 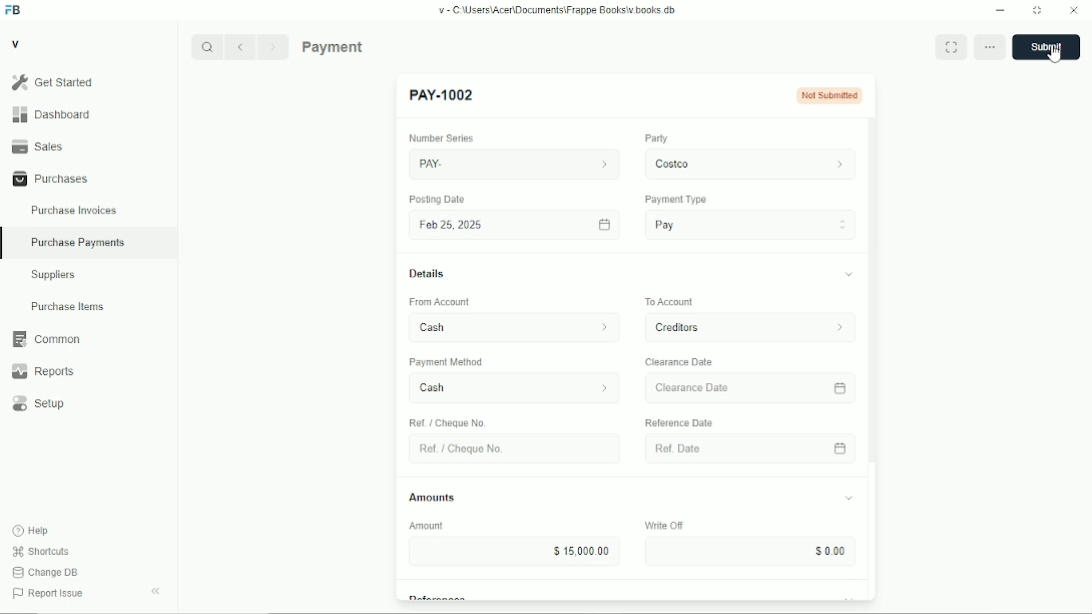 What do you see at coordinates (676, 199) in the screenshot?
I see `Payment Type` at bounding box center [676, 199].